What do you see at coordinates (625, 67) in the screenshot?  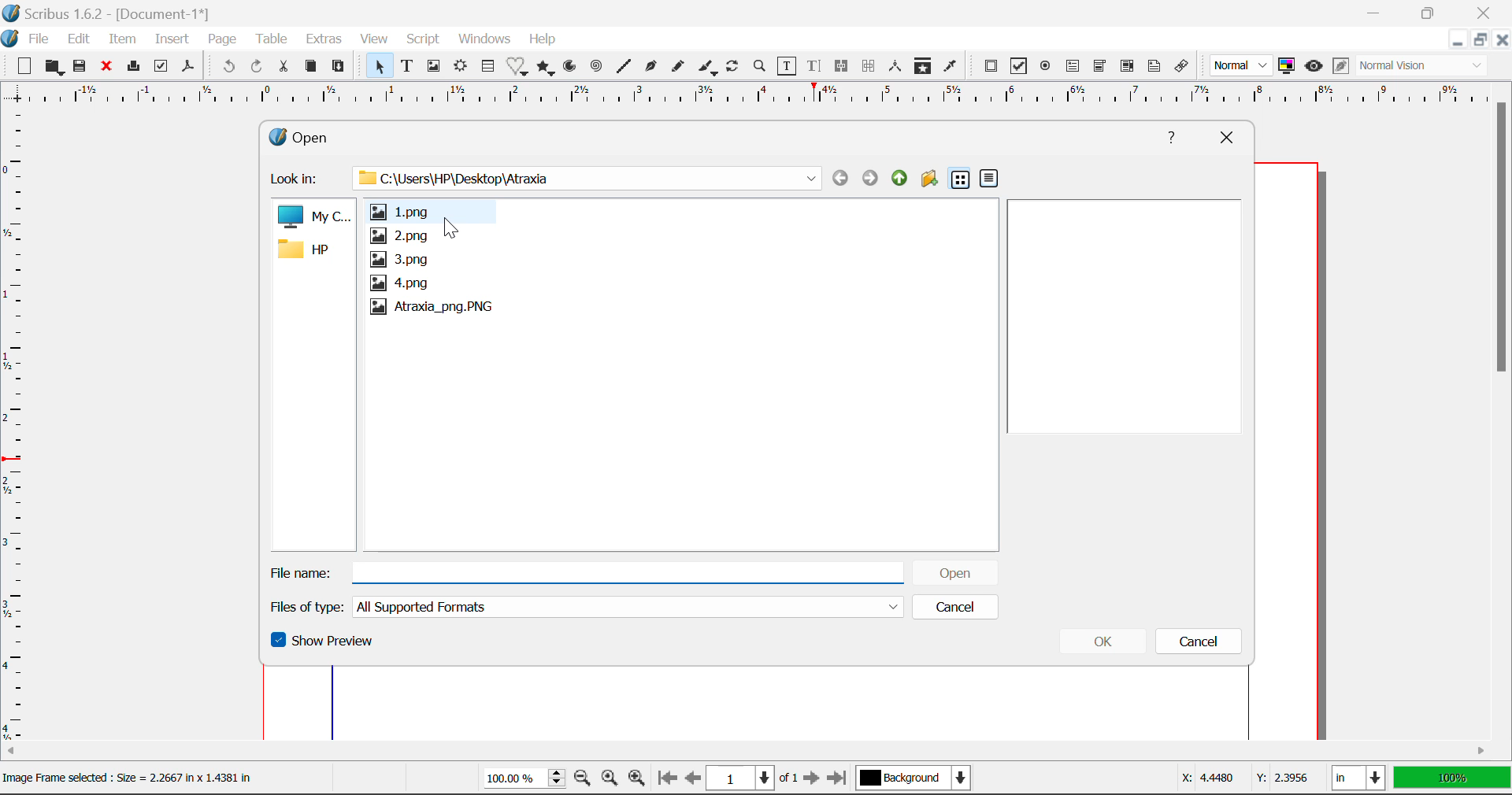 I see `Line` at bounding box center [625, 67].